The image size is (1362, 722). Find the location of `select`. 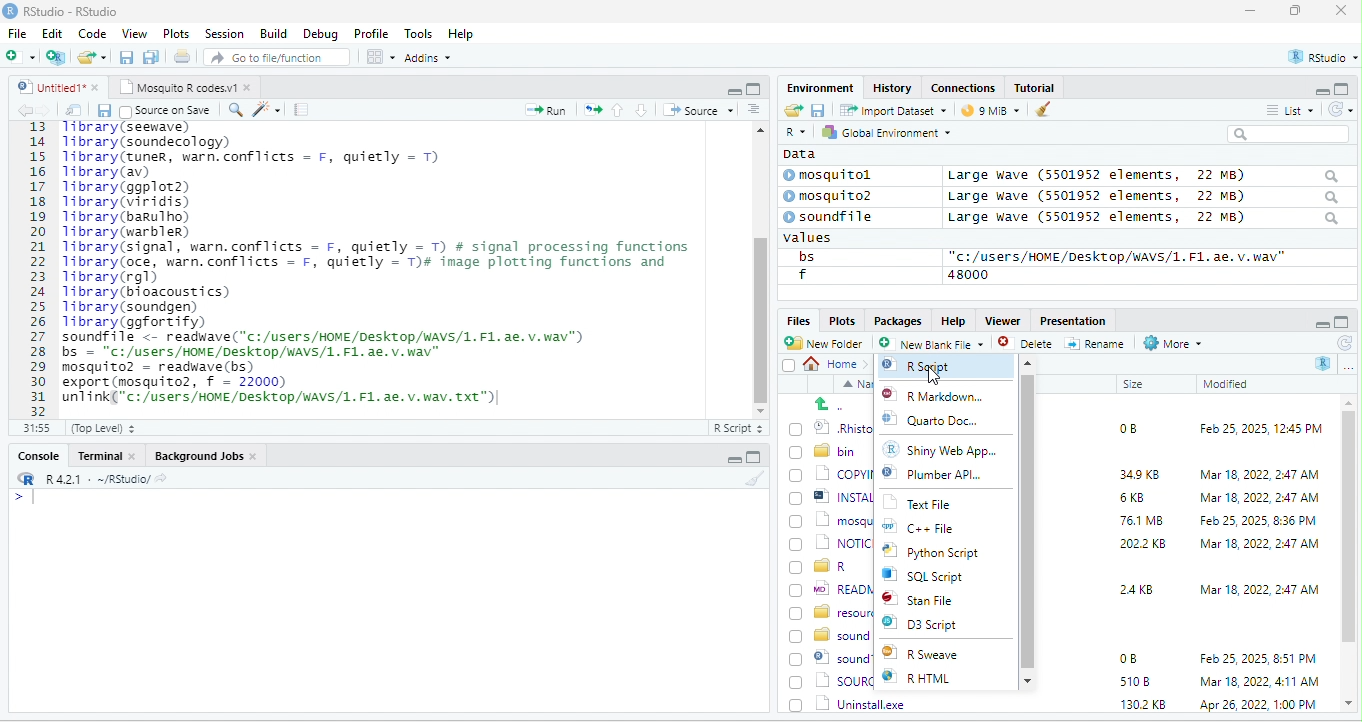

select is located at coordinates (791, 369).